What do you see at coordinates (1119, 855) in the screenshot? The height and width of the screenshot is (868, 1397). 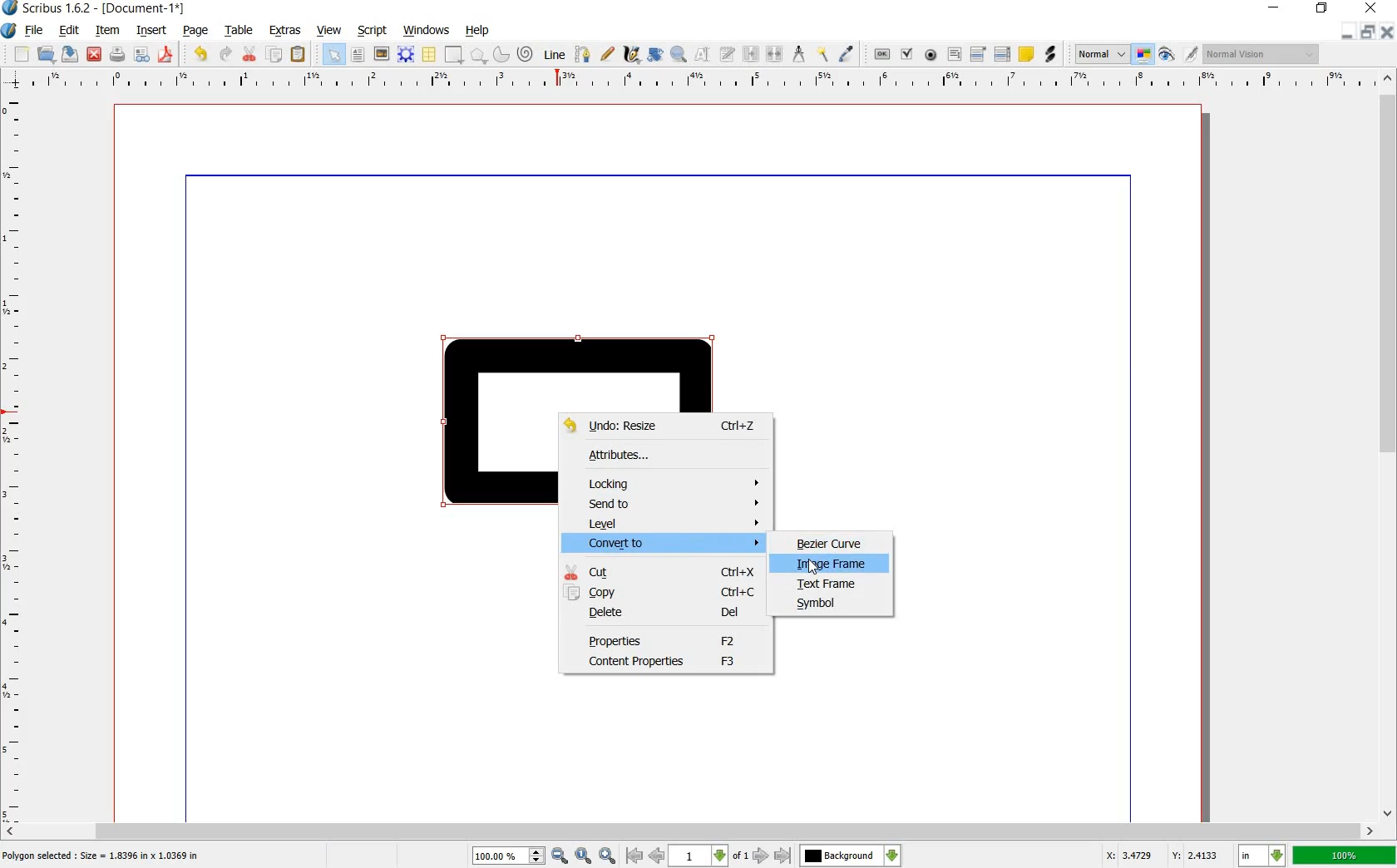 I see `coordinates x: 3.4729` at bounding box center [1119, 855].